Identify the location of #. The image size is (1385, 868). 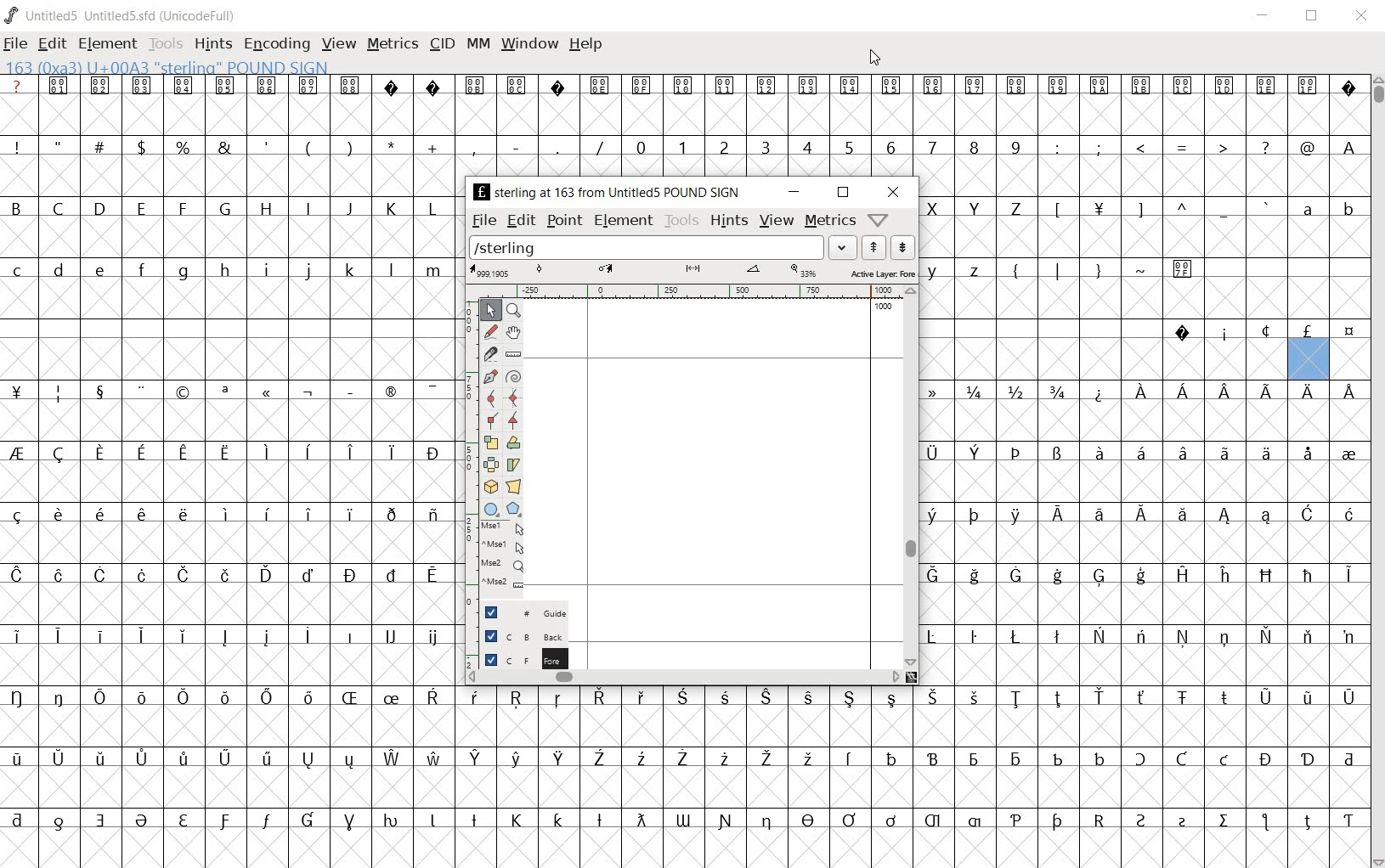
(104, 148).